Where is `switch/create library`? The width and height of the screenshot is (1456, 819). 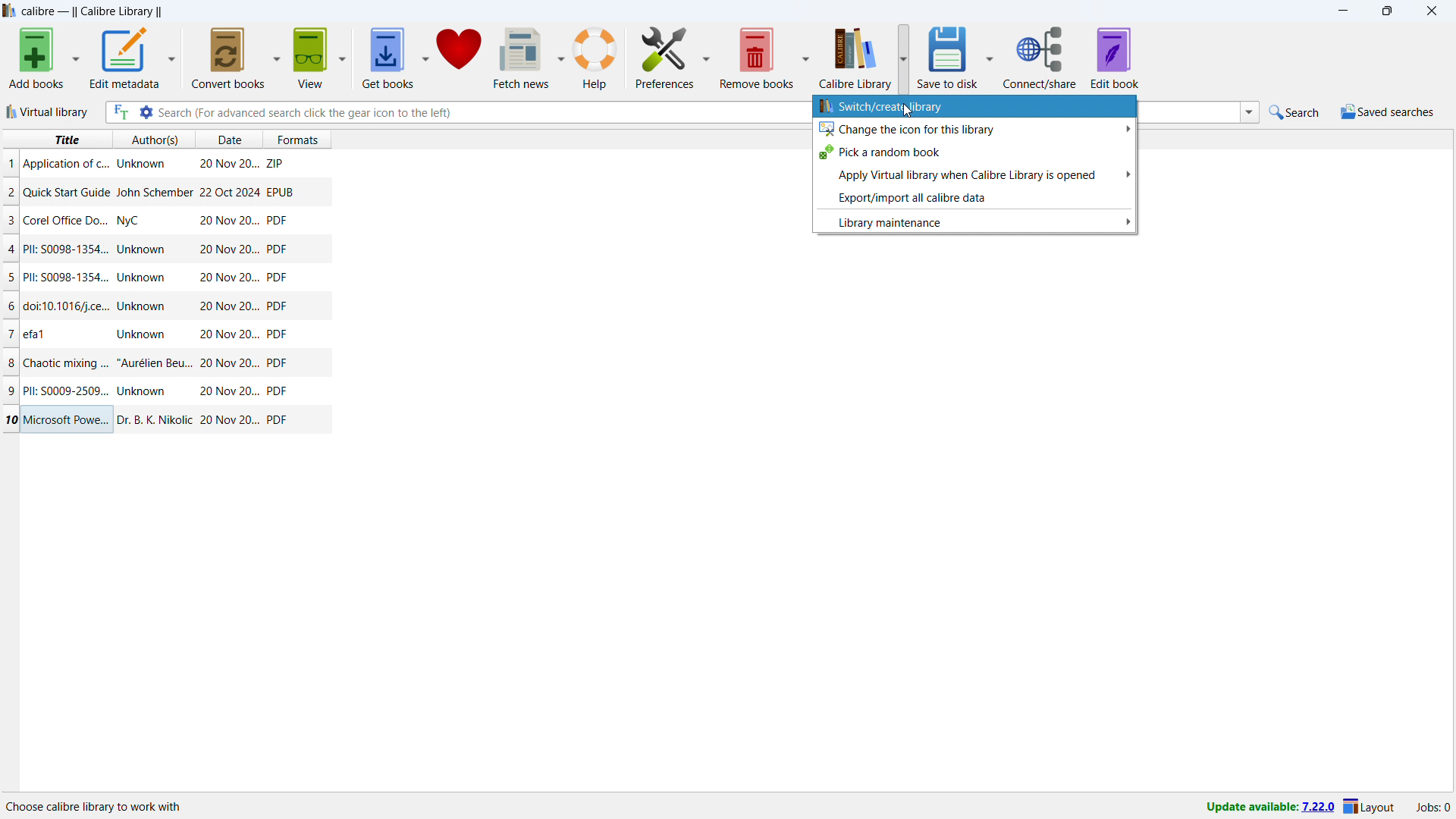
switch/create library is located at coordinates (974, 106).